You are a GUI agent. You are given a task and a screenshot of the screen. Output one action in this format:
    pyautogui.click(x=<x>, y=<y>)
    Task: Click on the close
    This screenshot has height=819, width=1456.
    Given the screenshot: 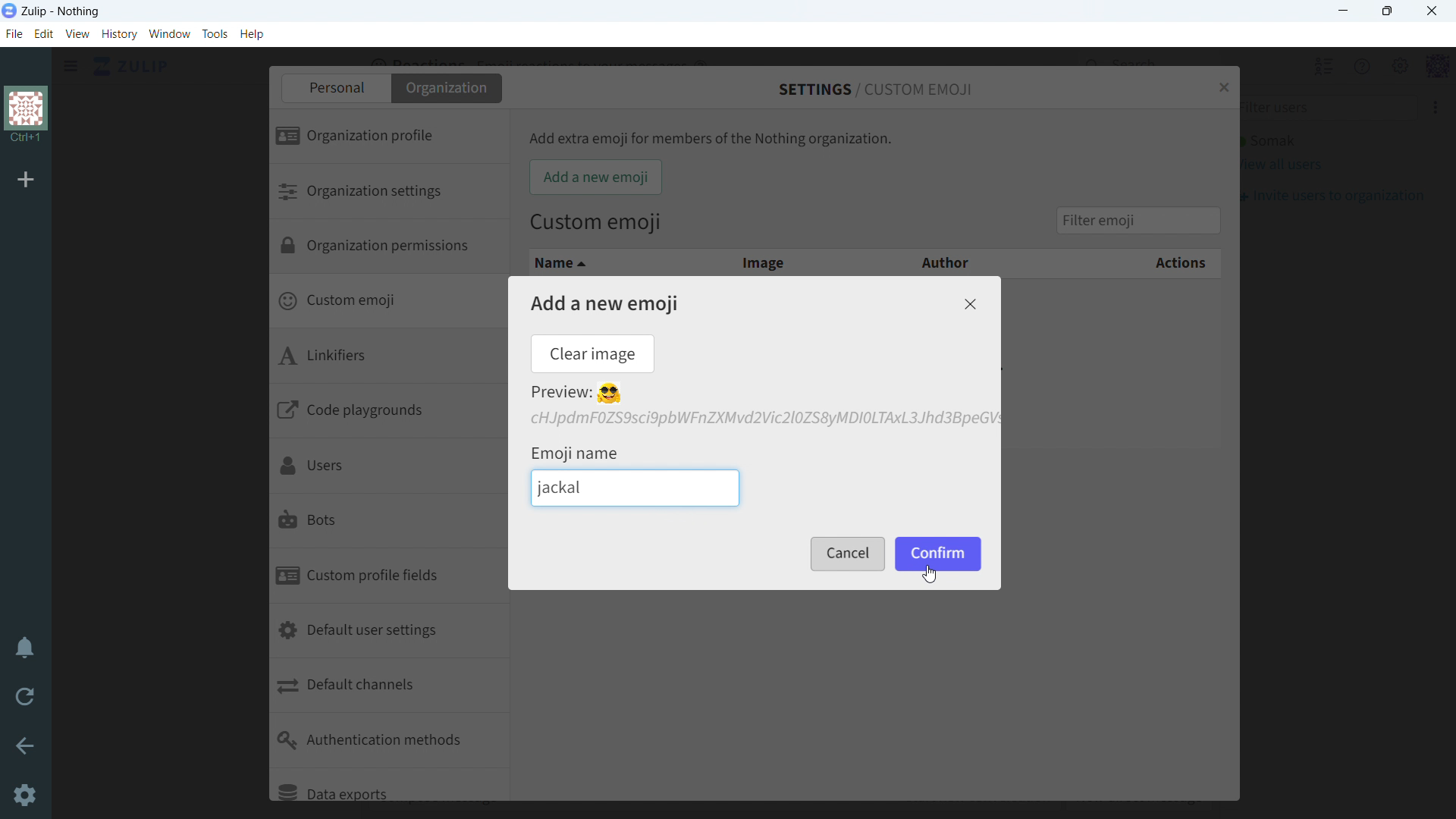 What is the action you would take?
    pyautogui.click(x=969, y=304)
    